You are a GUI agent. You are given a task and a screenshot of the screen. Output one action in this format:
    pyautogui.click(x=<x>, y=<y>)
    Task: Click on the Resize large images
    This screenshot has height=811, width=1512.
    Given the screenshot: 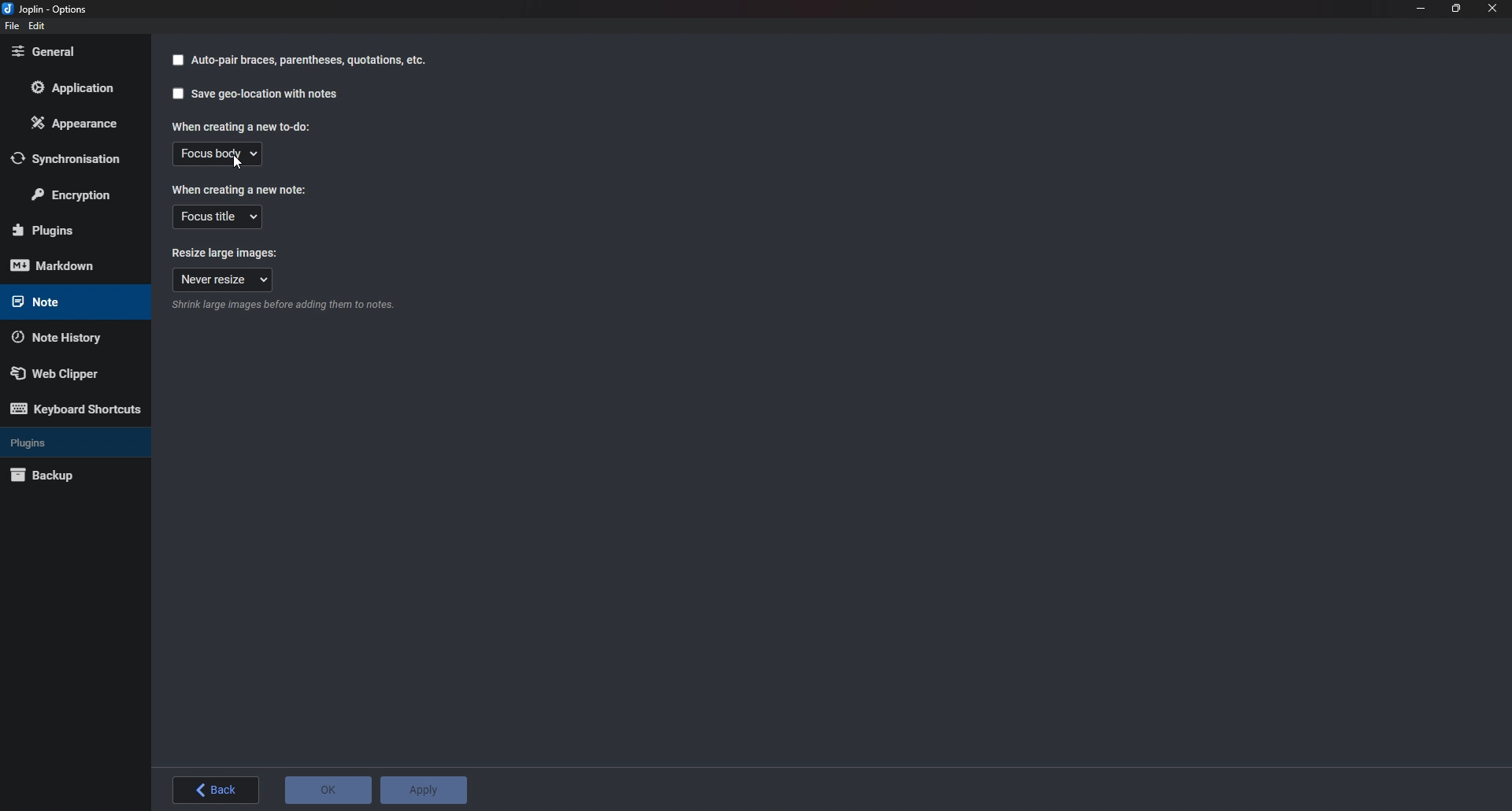 What is the action you would take?
    pyautogui.click(x=227, y=253)
    